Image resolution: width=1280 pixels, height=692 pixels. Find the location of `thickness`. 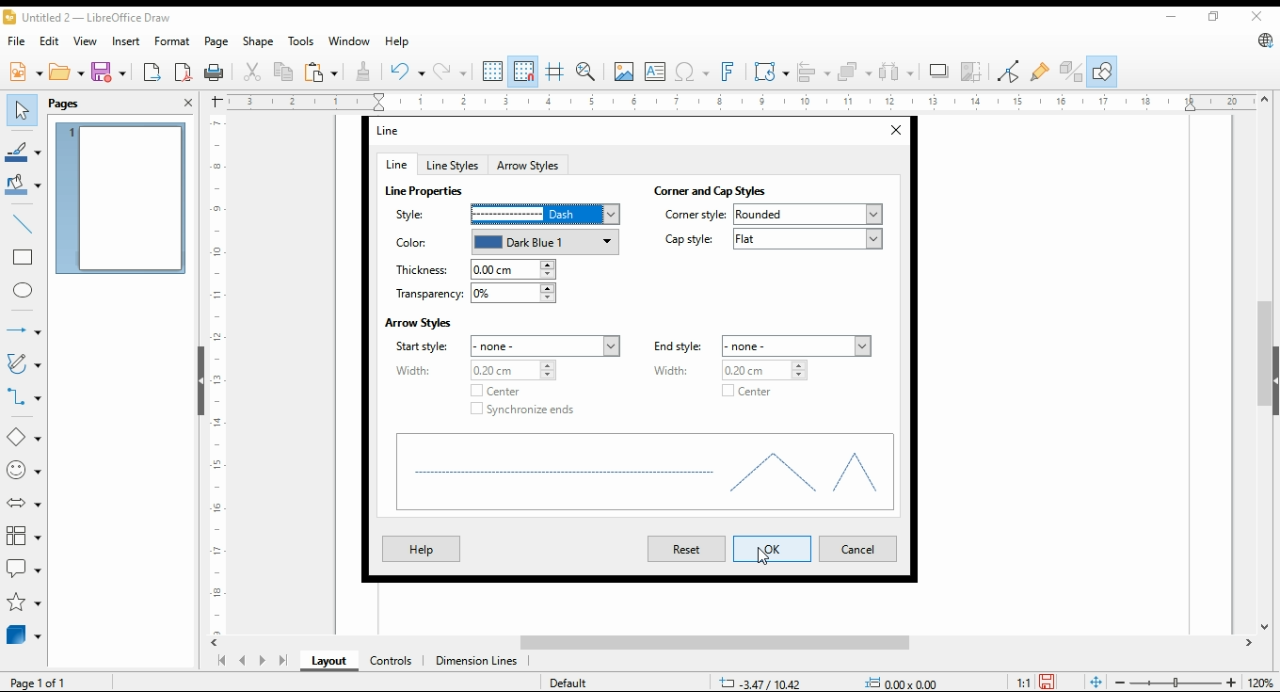

thickness is located at coordinates (474, 270).